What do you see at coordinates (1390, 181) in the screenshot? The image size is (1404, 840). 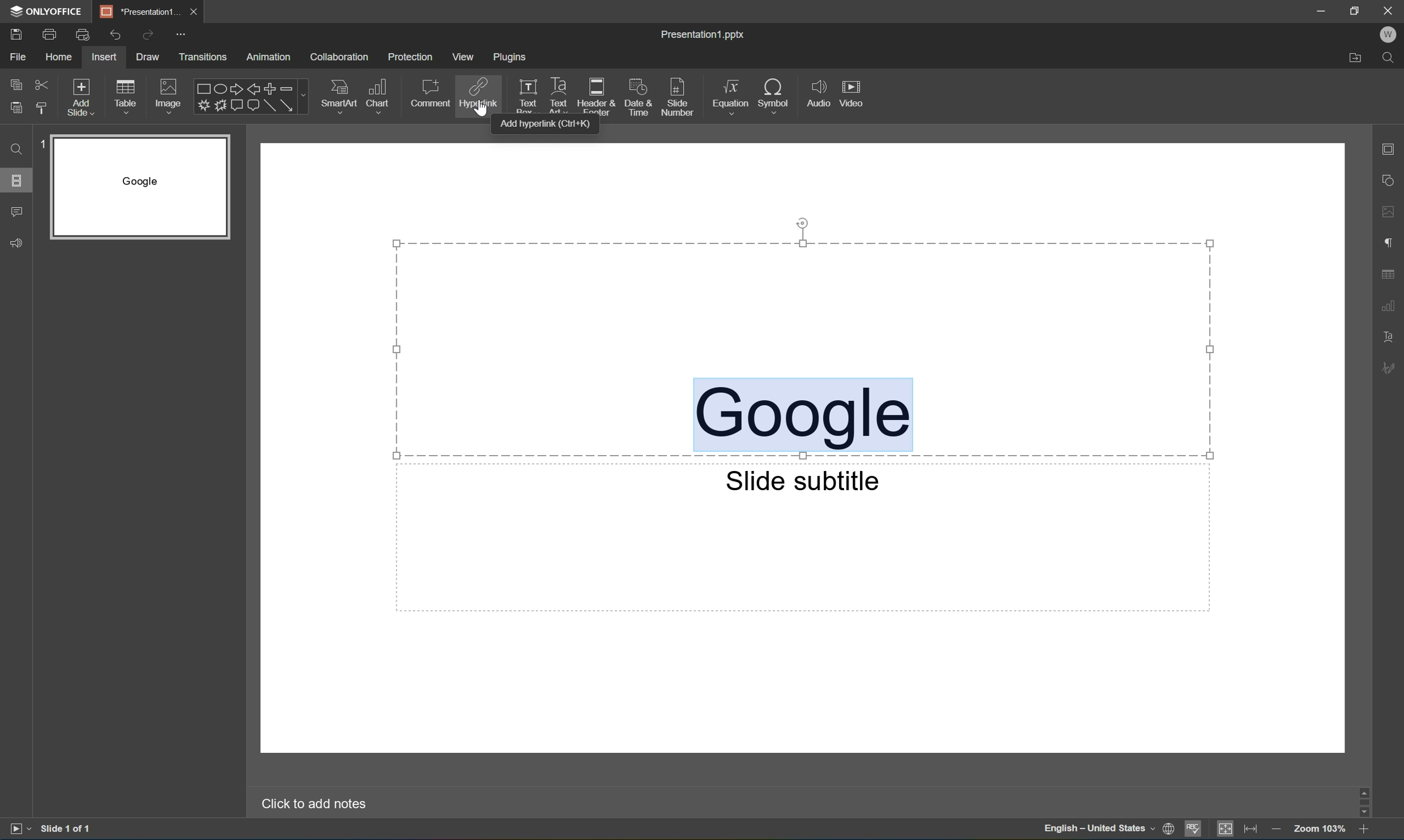 I see `Shape settings` at bounding box center [1390, 181].